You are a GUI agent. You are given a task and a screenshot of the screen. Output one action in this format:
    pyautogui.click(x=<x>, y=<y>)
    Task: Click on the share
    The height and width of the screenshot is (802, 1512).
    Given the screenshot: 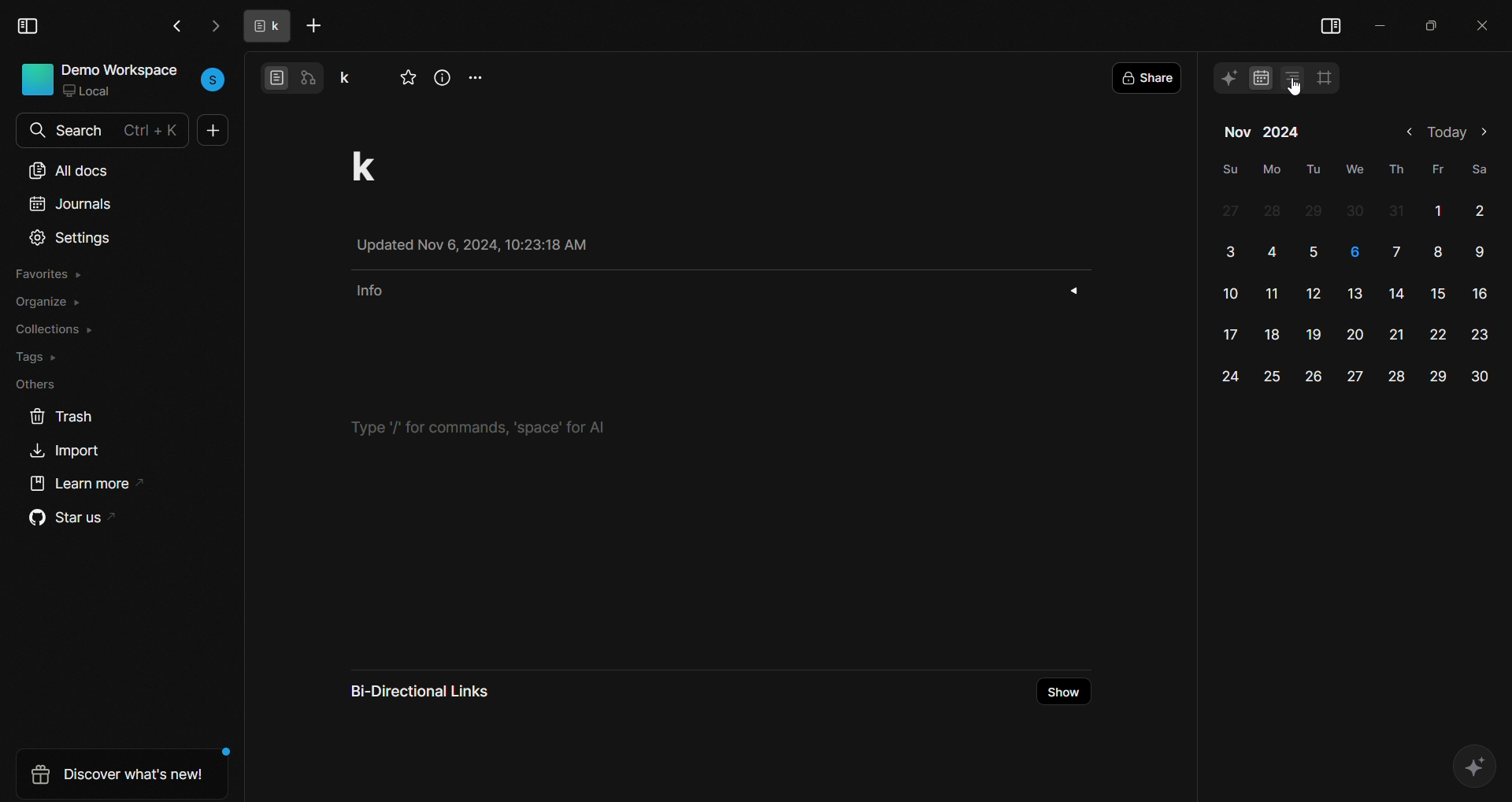 What is the action you would take?
    pyautogui.click(x=1151, y=77)
    